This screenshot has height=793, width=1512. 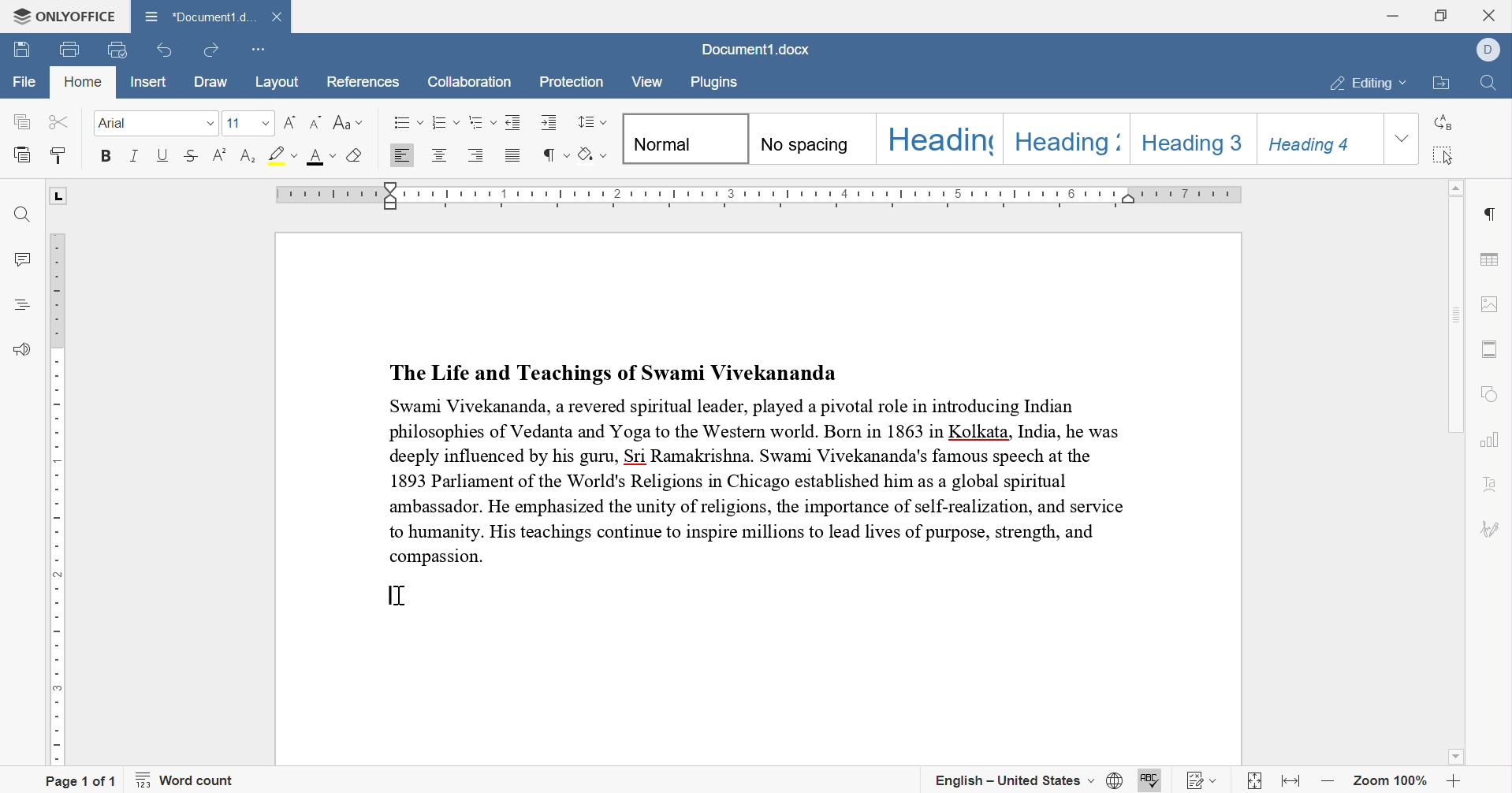 What do you see at coordinates (362, 83) in the screenshot?
I see `references` at bounding box center [362, 83].